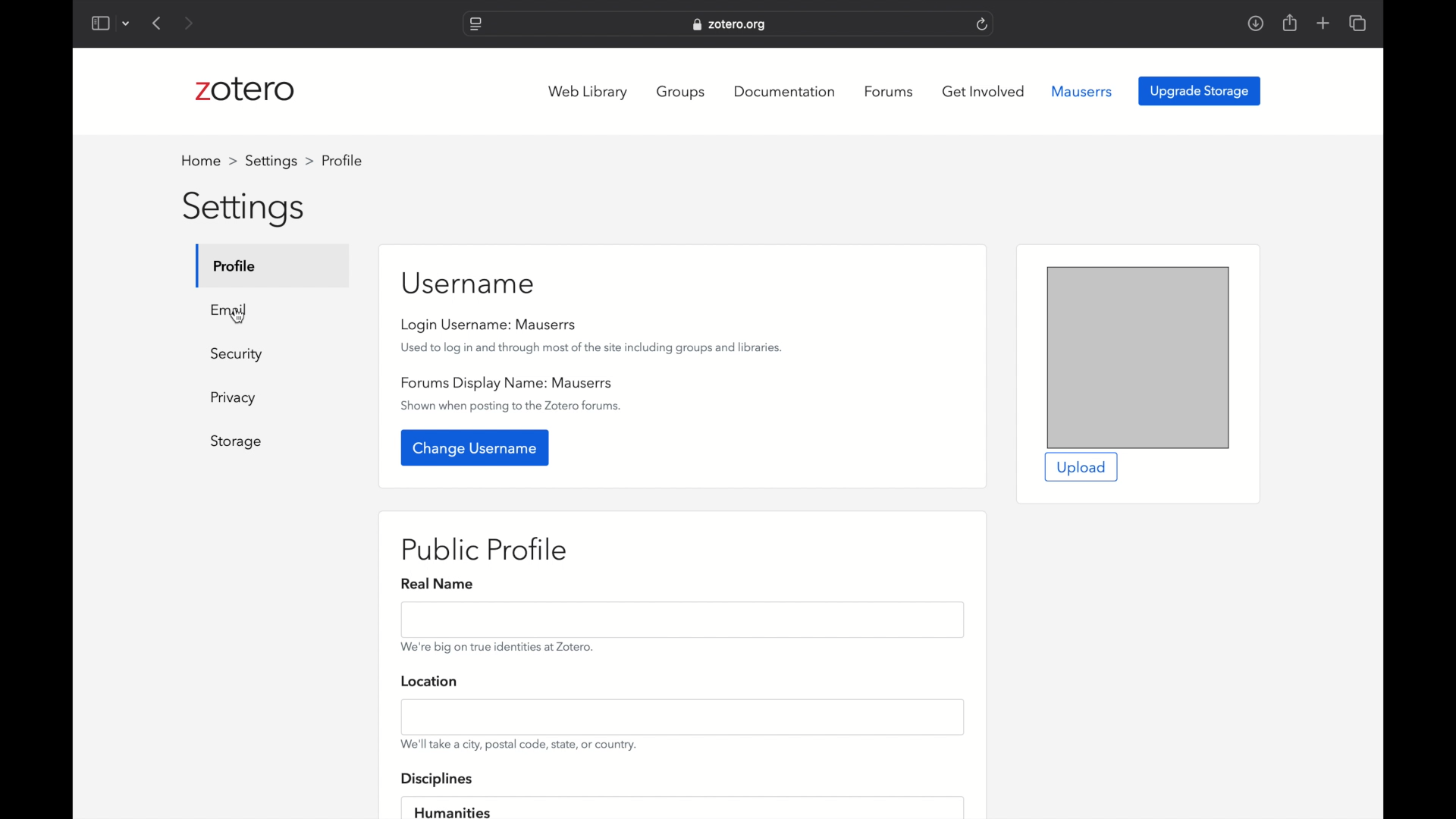 The image size is (1456, 819). I want to click on web library, so click(588, 93).